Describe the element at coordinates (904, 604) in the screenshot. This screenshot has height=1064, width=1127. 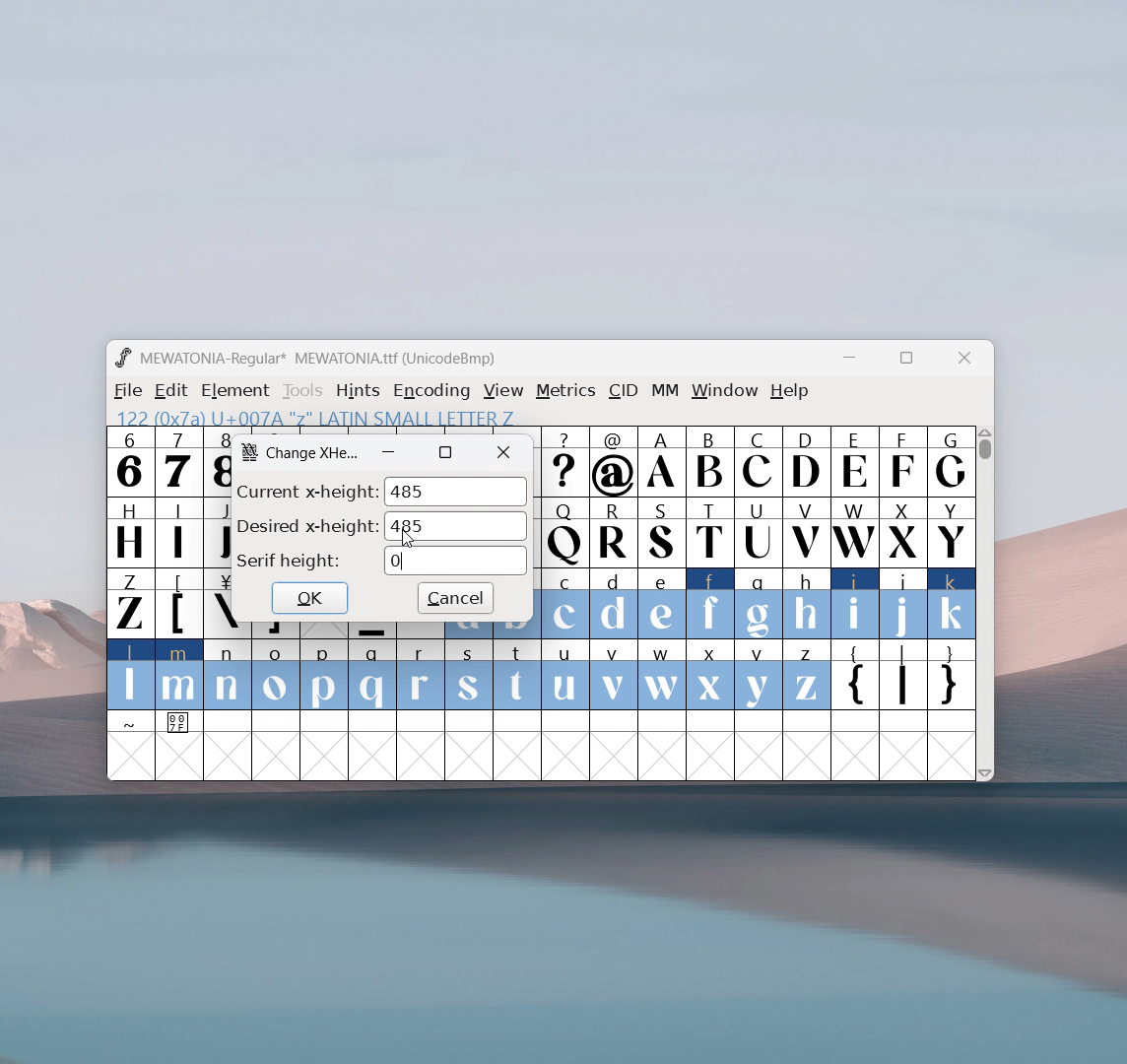
I see `j` at that location.